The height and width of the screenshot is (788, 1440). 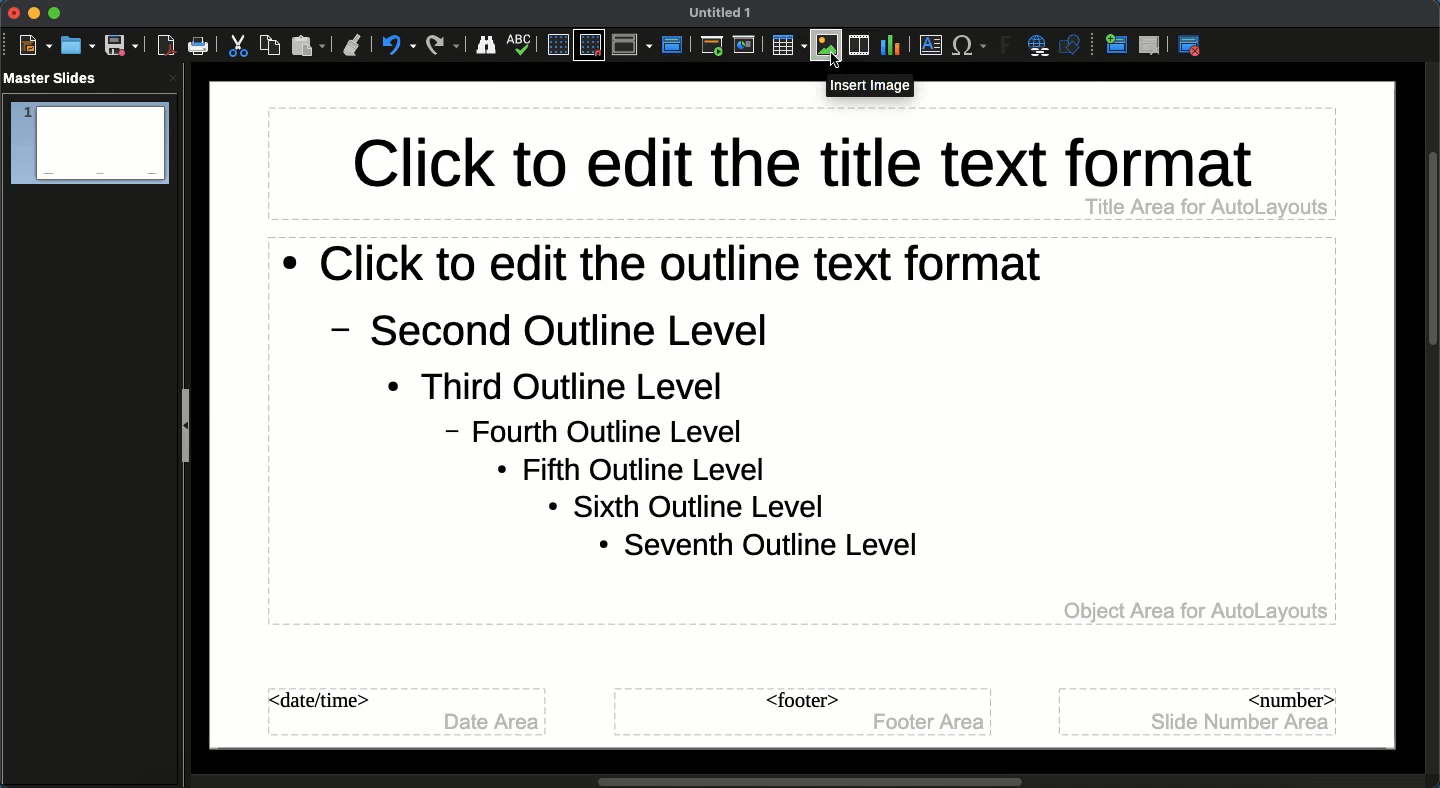 I want to click on Master slide number, so click(x=1201, y=712).